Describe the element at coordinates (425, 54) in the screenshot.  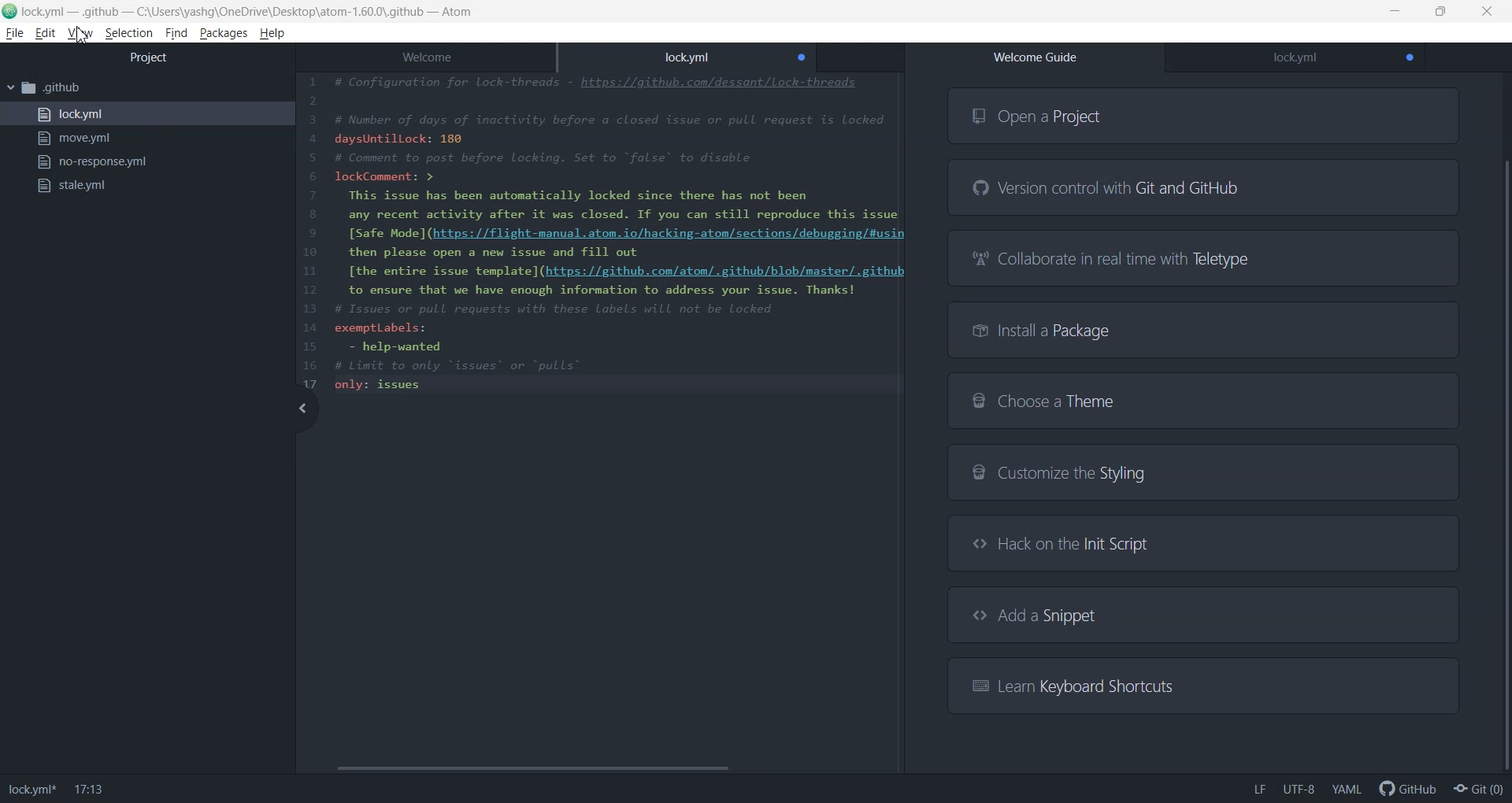
I see `Welcome ` at that location.